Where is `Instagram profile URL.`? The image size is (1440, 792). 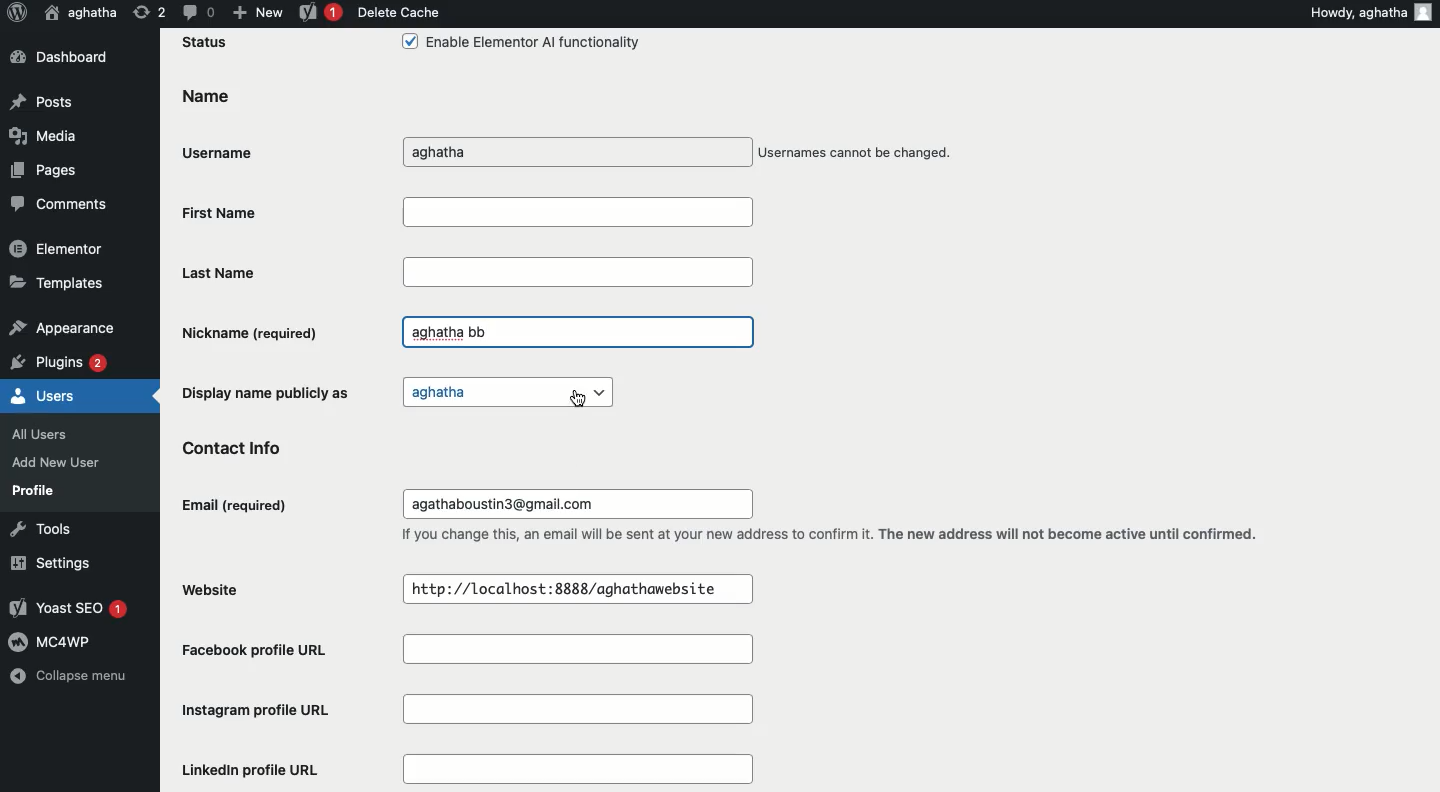
Instagram profile URL. is located at coordinates (472, 711).